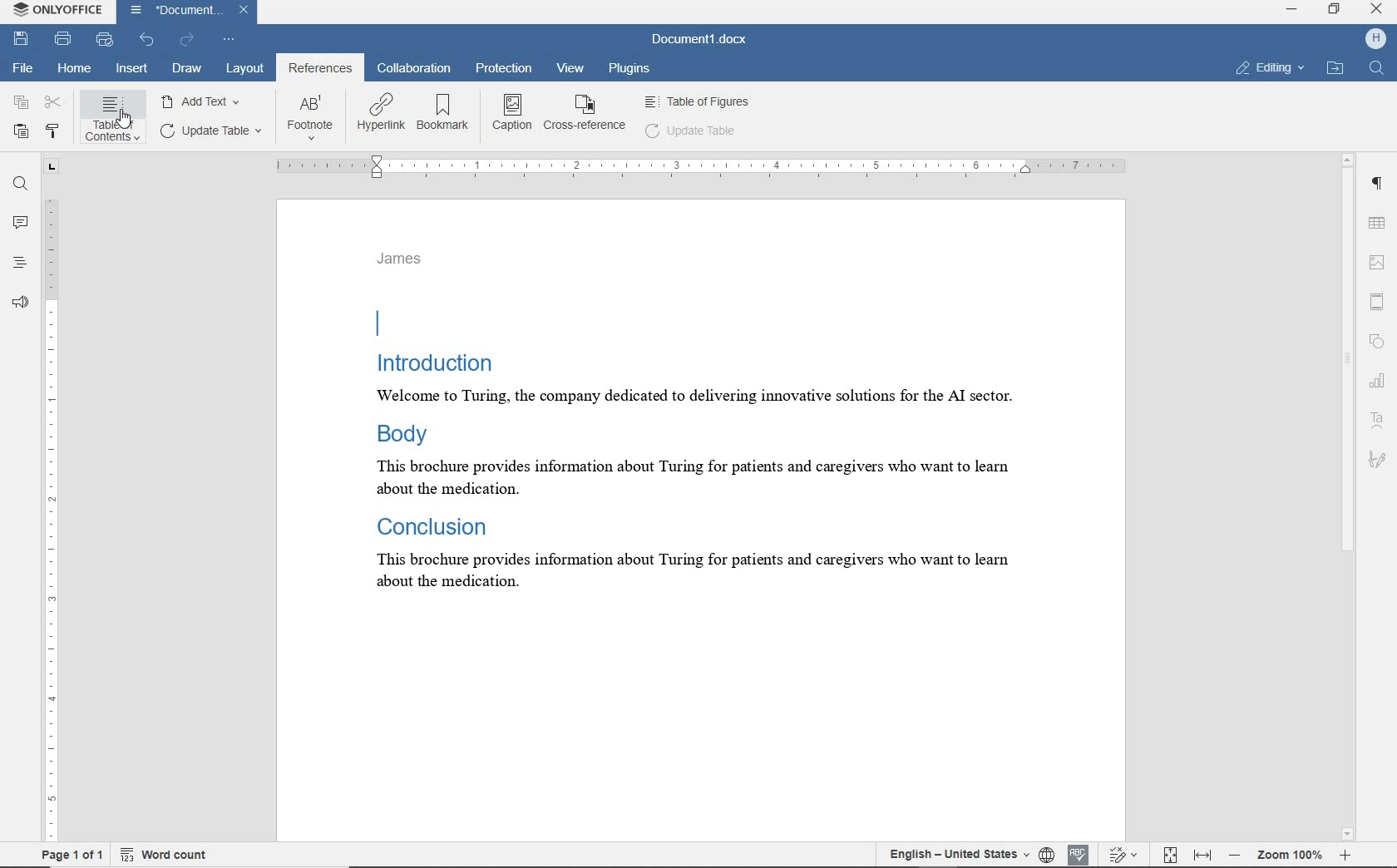  I want to click on cursor, so click(126, 119).